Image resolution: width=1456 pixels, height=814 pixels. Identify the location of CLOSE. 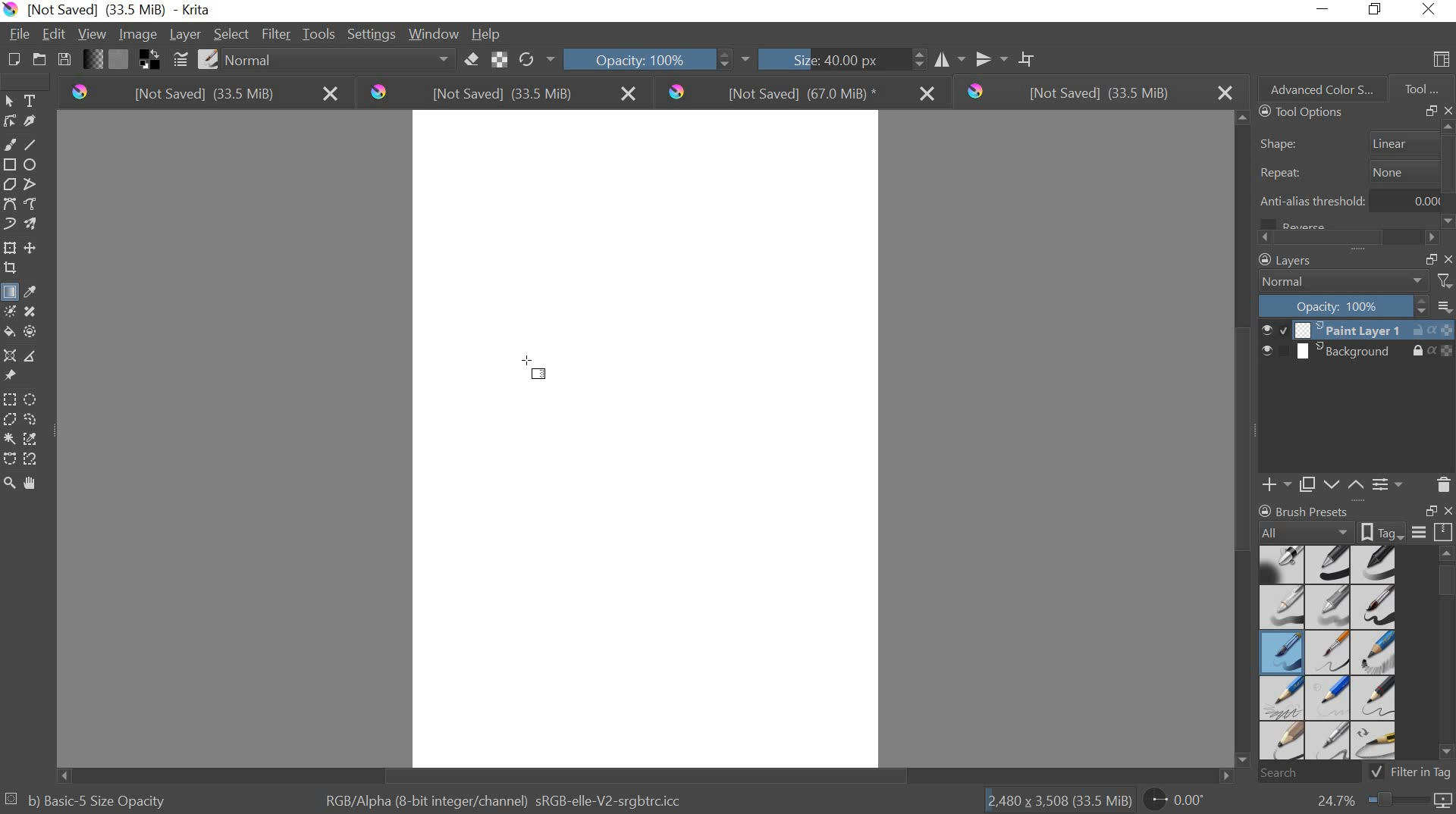
(1446, 512).